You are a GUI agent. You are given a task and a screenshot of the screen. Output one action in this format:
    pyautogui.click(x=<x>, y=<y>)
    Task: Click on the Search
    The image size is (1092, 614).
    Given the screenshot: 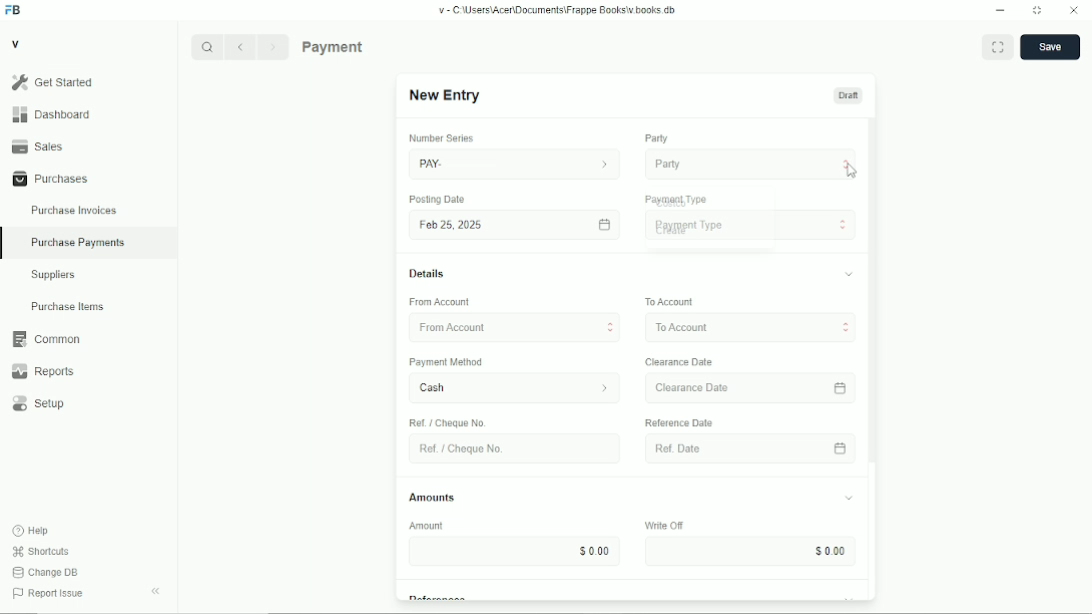 What is the action you would take?
    pyautogui.click(x=207, y=47)
    